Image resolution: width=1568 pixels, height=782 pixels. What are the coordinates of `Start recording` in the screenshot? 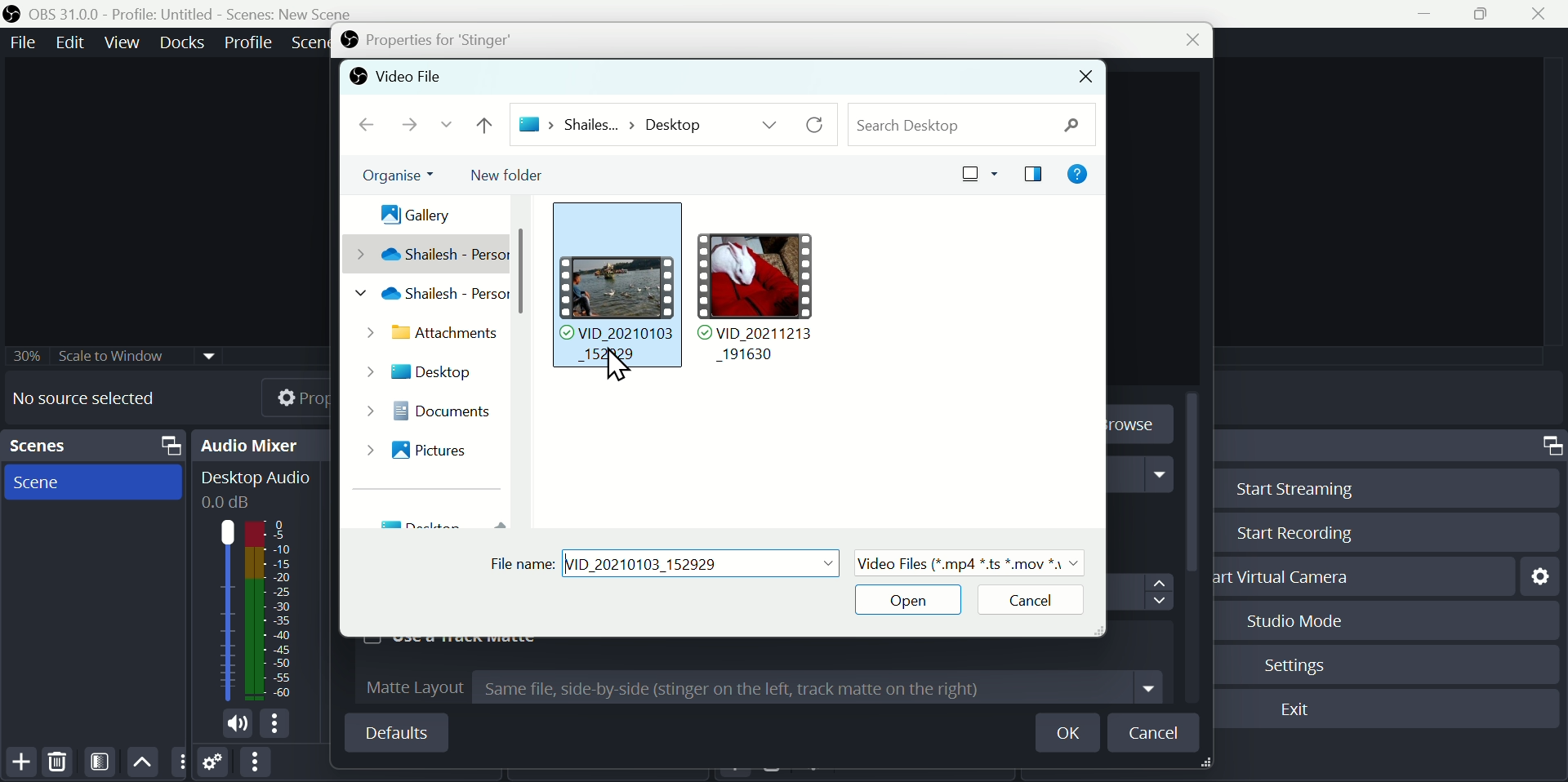 It's located at (1291, 535).